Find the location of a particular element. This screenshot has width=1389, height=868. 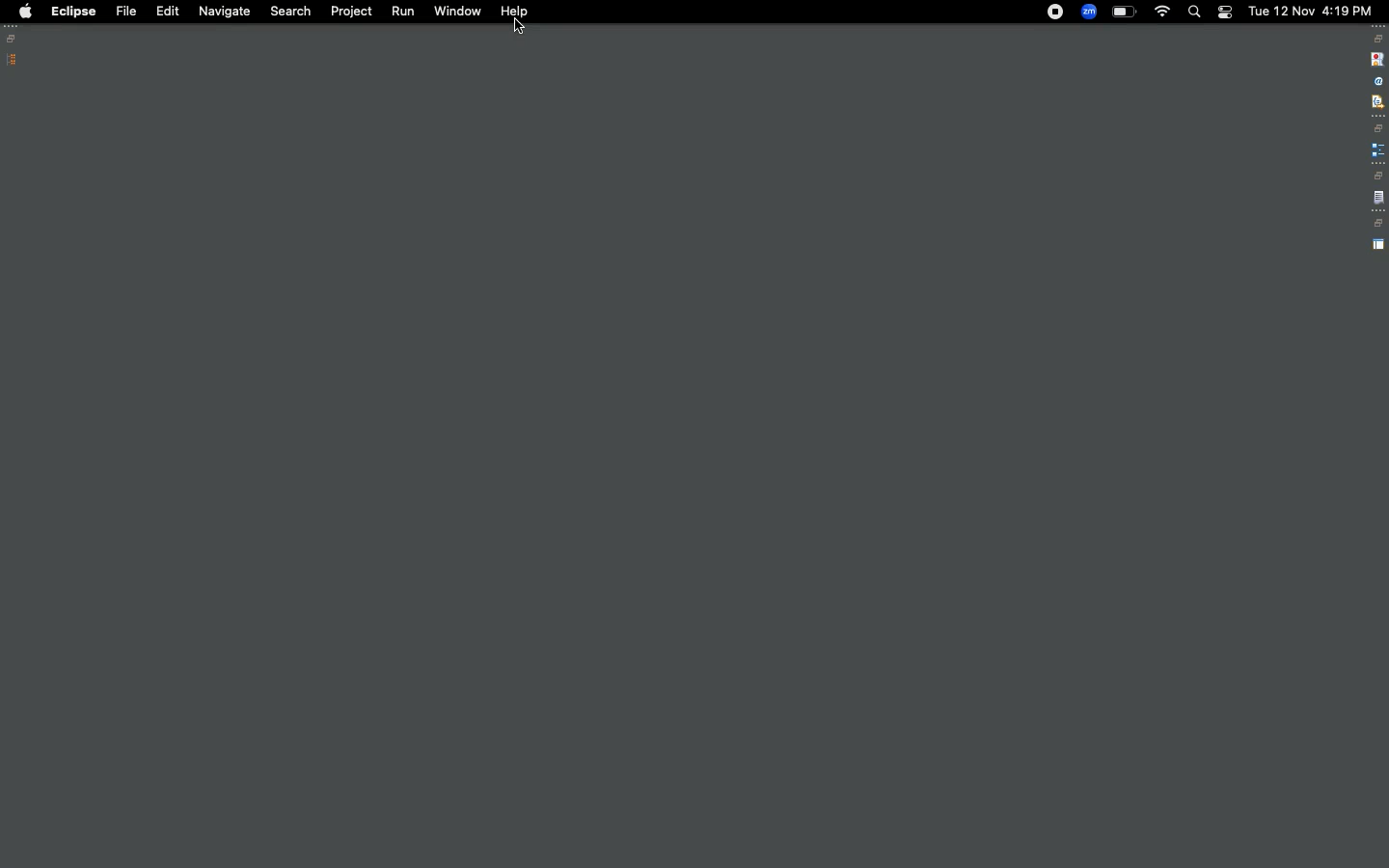

Edit is located at coordinates (164, 10).